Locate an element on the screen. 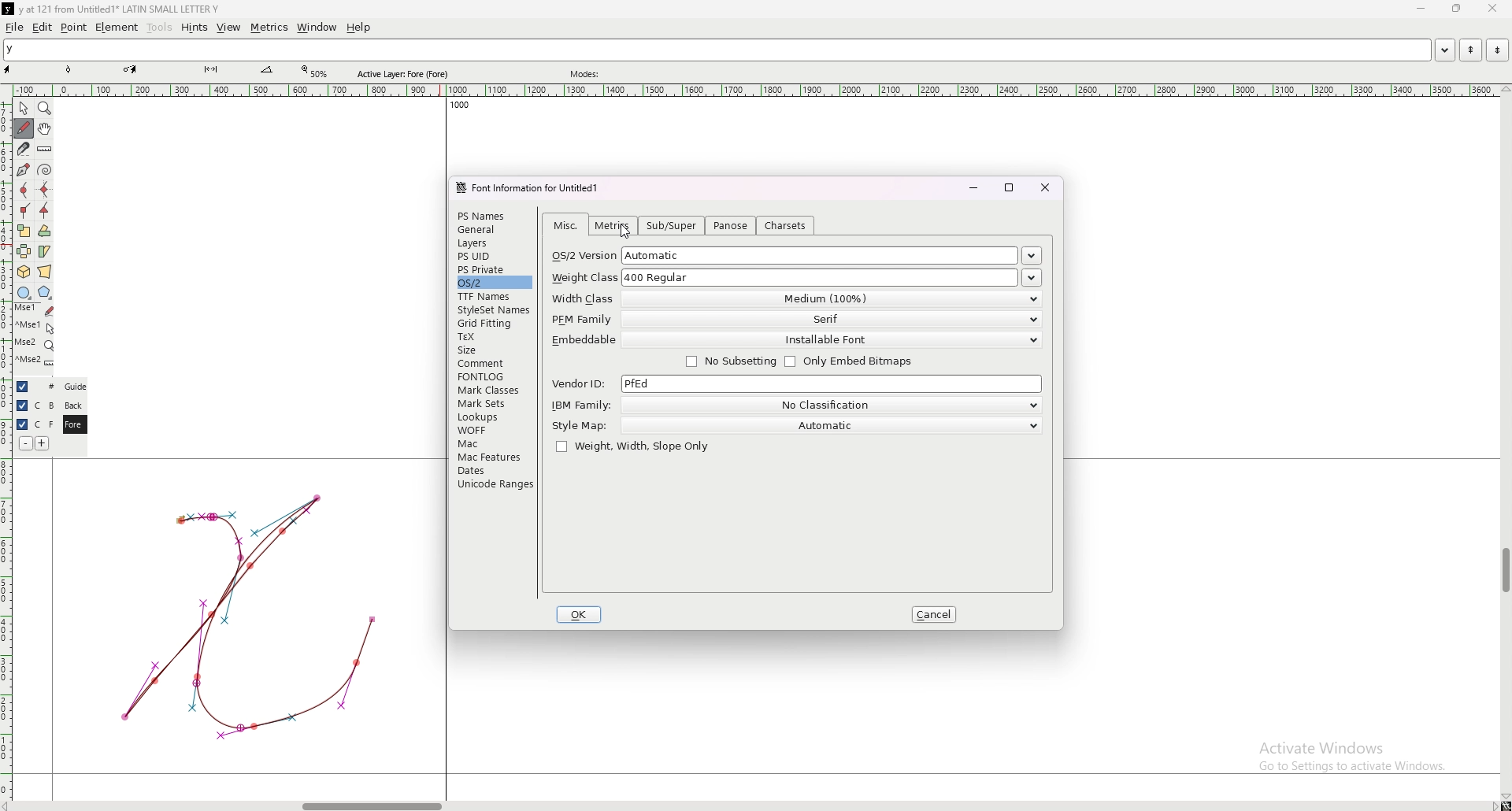  grid fitting is located at coordinates (491, 324).